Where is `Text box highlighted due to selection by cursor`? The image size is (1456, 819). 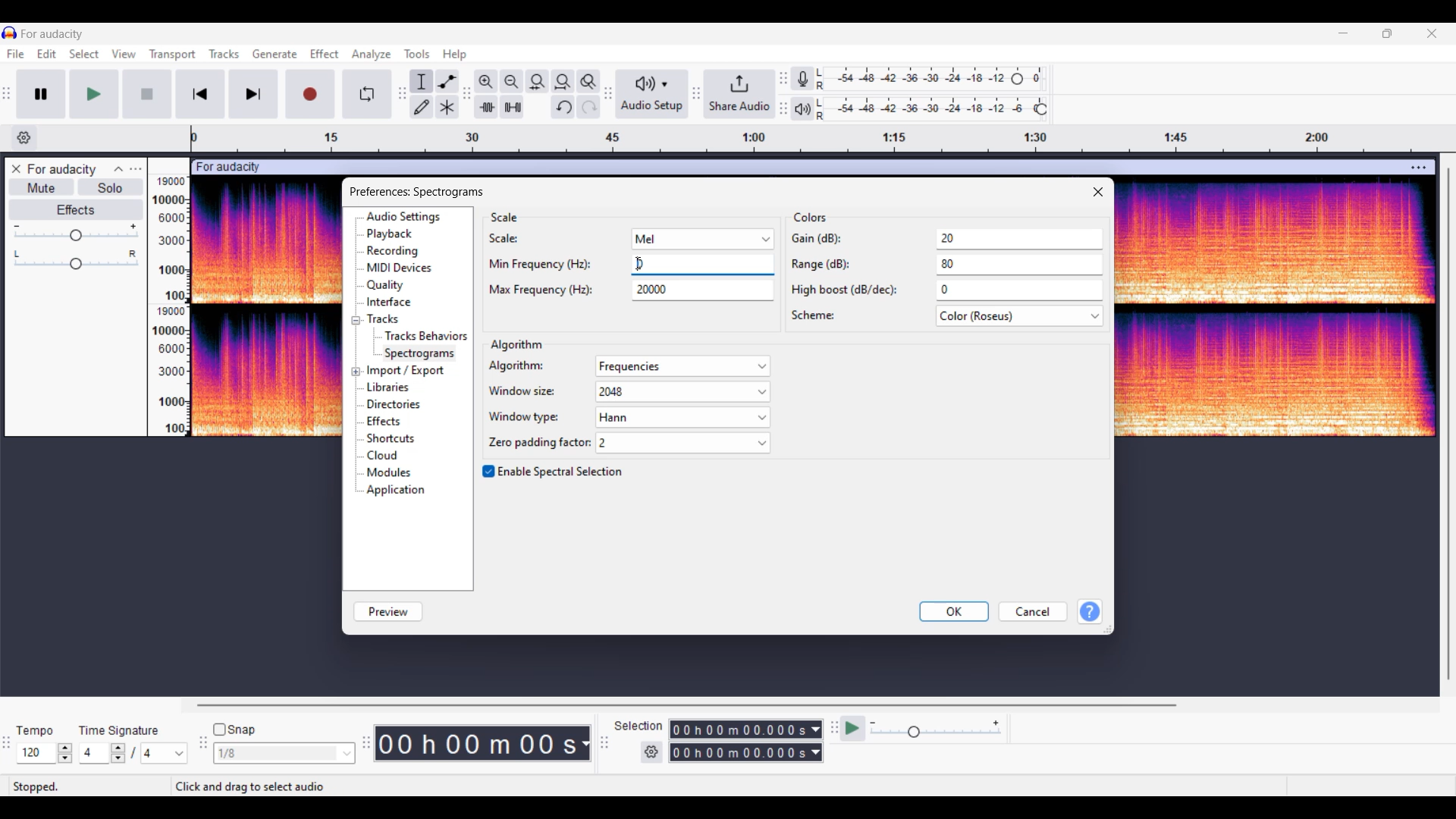 Text box highlighted due to selection by cursor is located at coordinates (631, 265).